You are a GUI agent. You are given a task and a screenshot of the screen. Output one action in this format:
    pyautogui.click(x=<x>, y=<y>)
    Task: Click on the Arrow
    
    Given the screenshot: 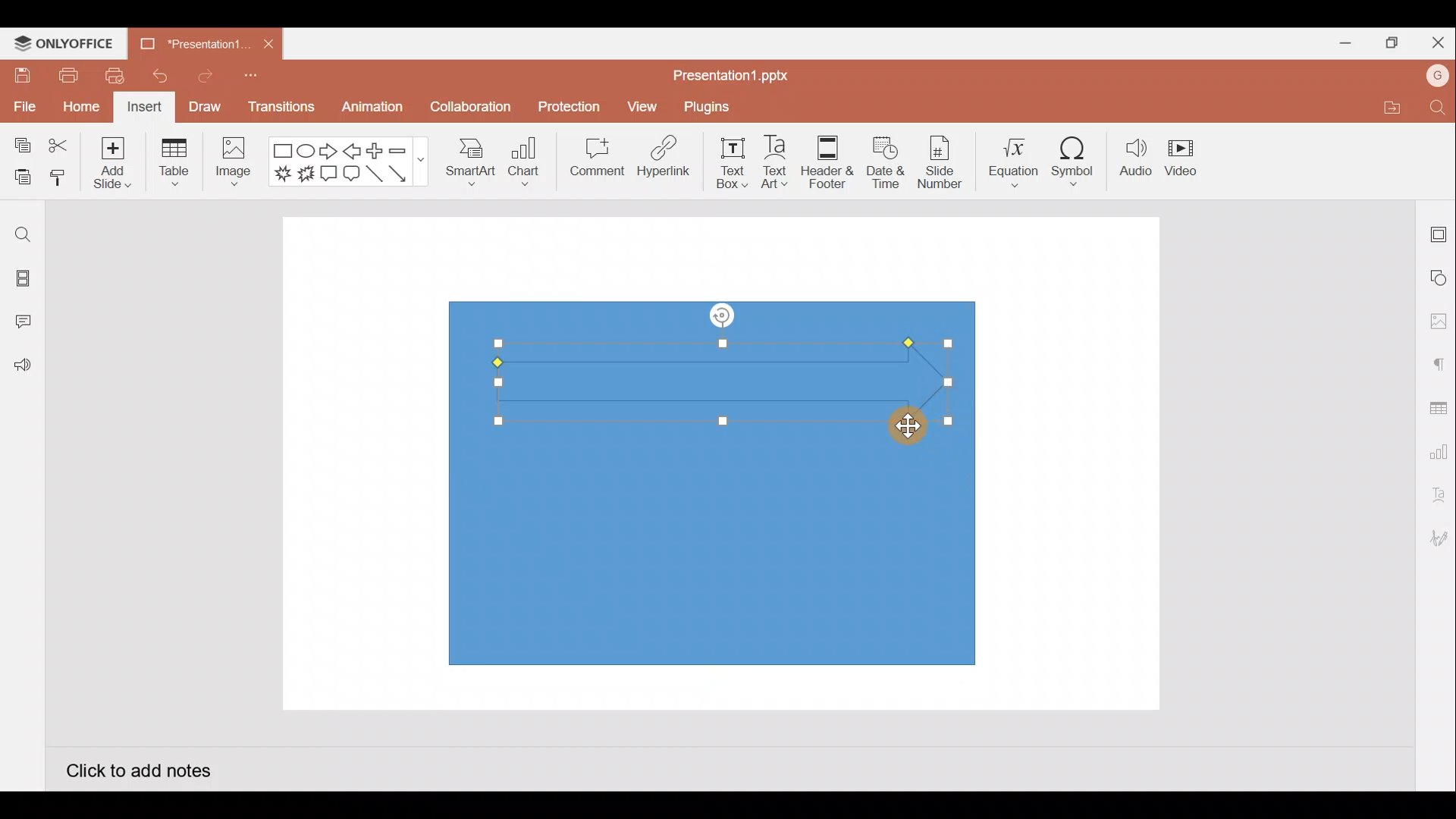 What is the action you would take?
    pyautogui.click(x=406, y=174)
    